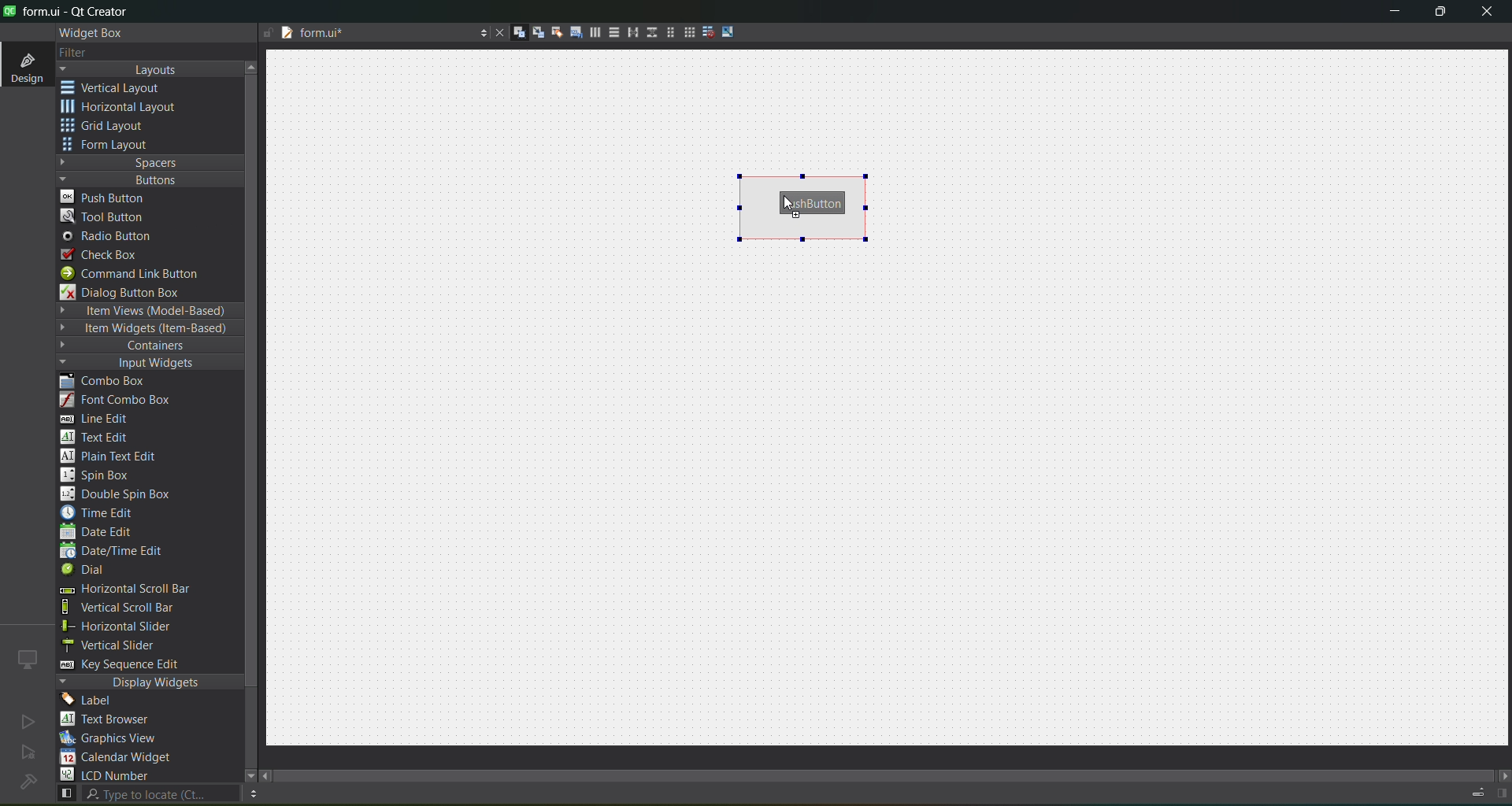 The height and width of the screenshot is (806, 1512). What do you see at coordinates (118, 759) in the screenshot?
I see `calendar` at bounding box center [118, 759].